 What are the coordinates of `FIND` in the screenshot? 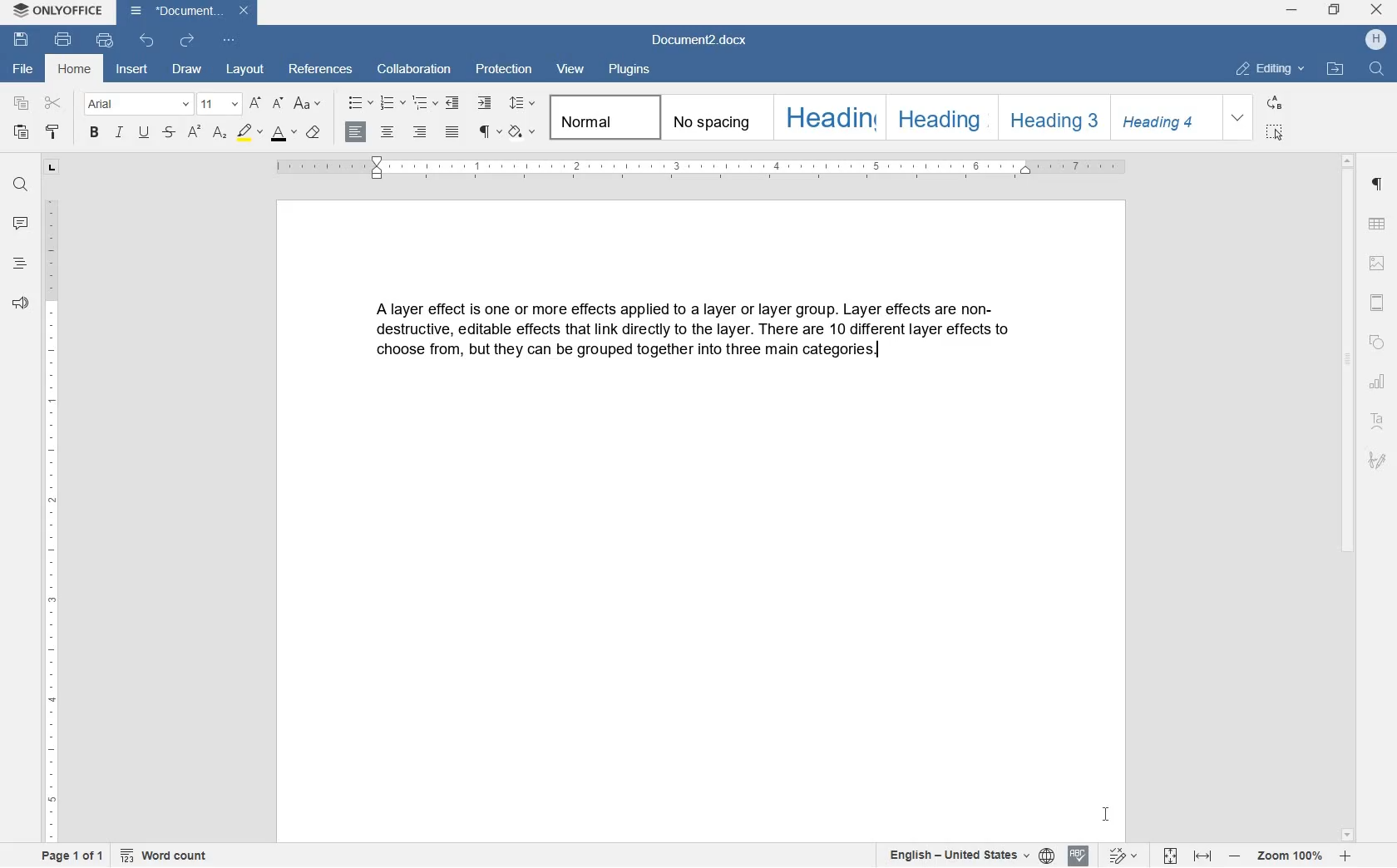 It's located at (19, 184).